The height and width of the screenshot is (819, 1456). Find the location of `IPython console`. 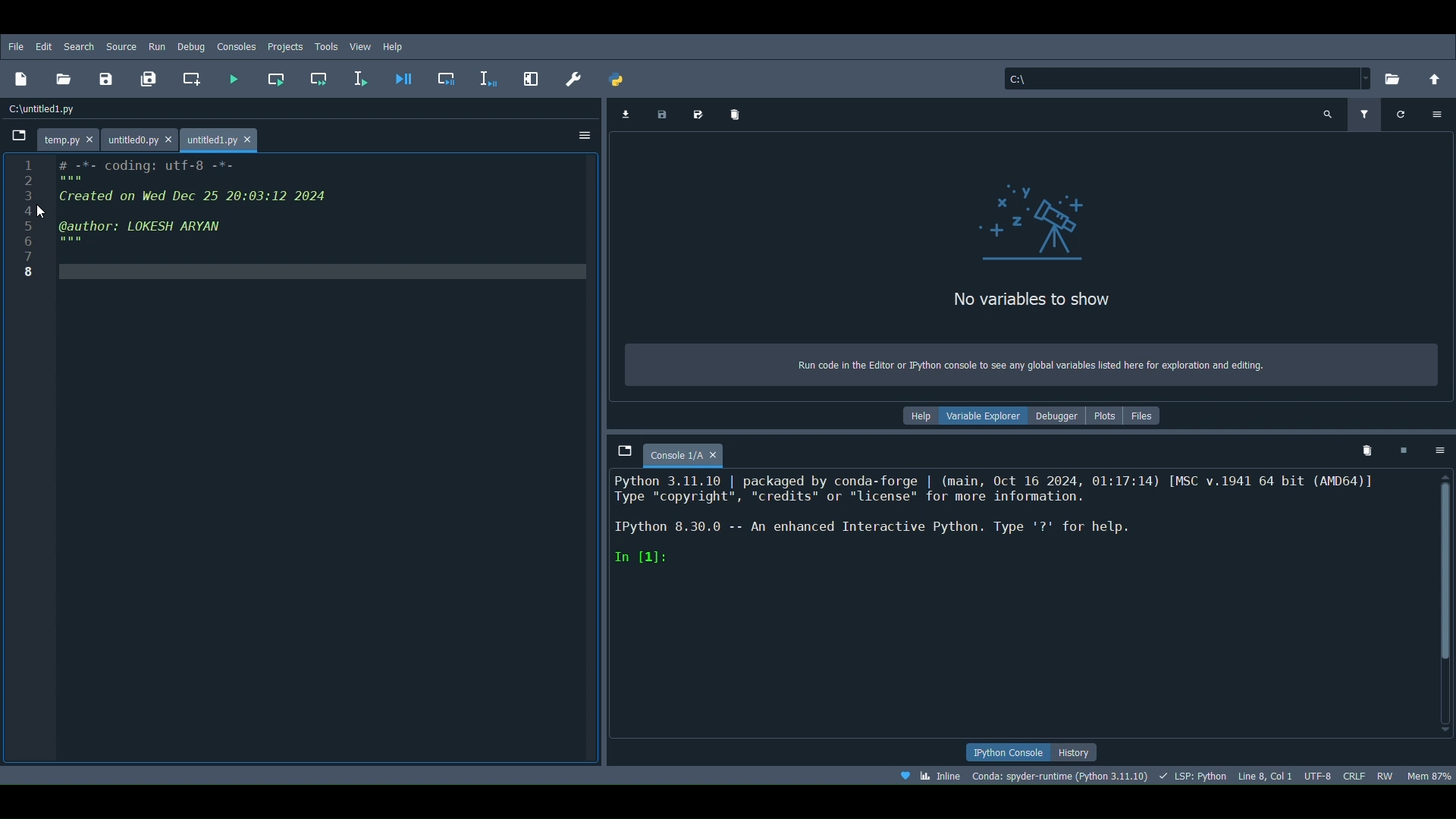

IPython console is located at coordinates (1001, 752).